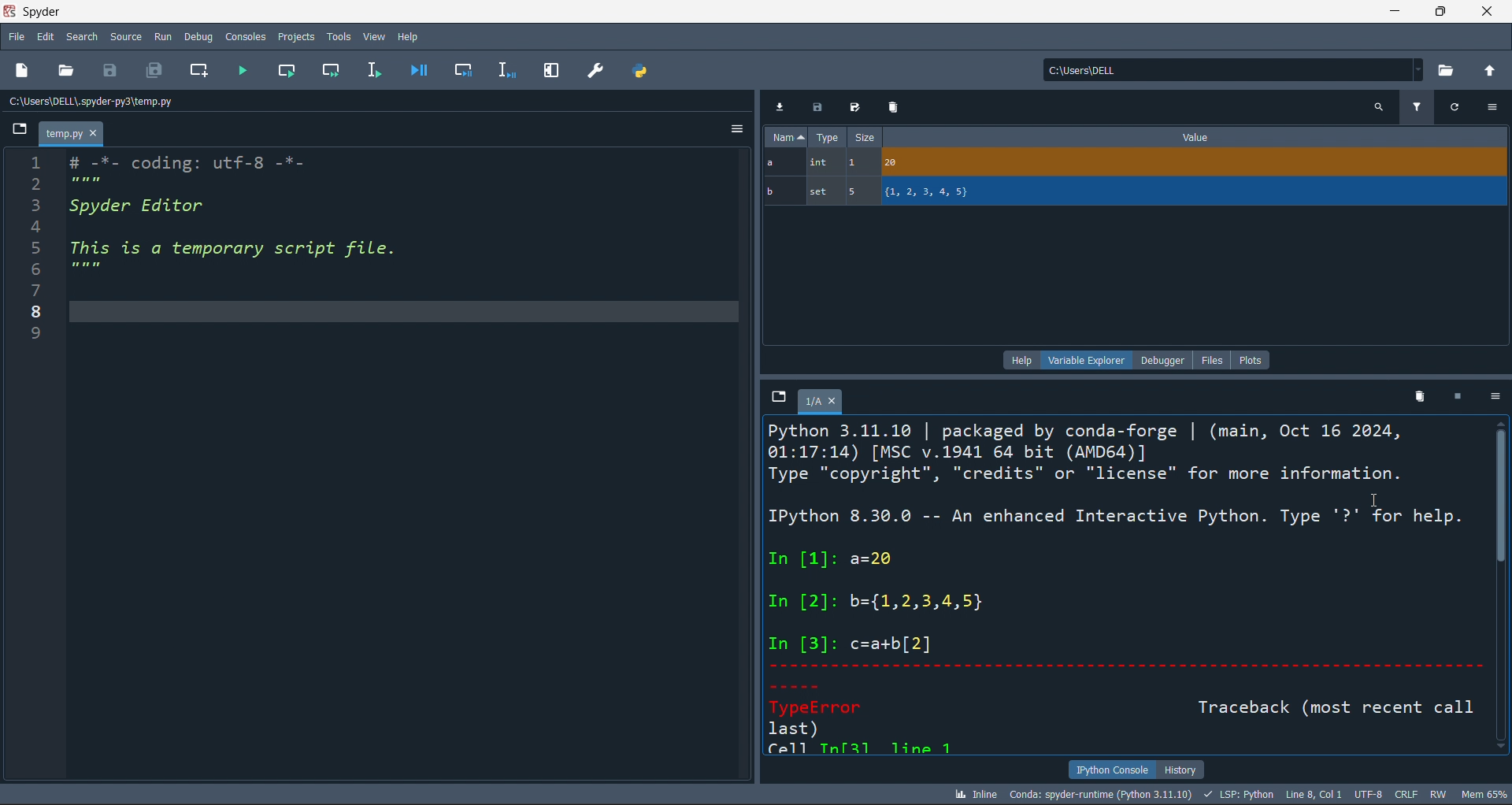 The width and height of the screenshot is (1512, 805). I want to click on b, set, 5, {1,2,3,4,5}, so click(1136, 193).